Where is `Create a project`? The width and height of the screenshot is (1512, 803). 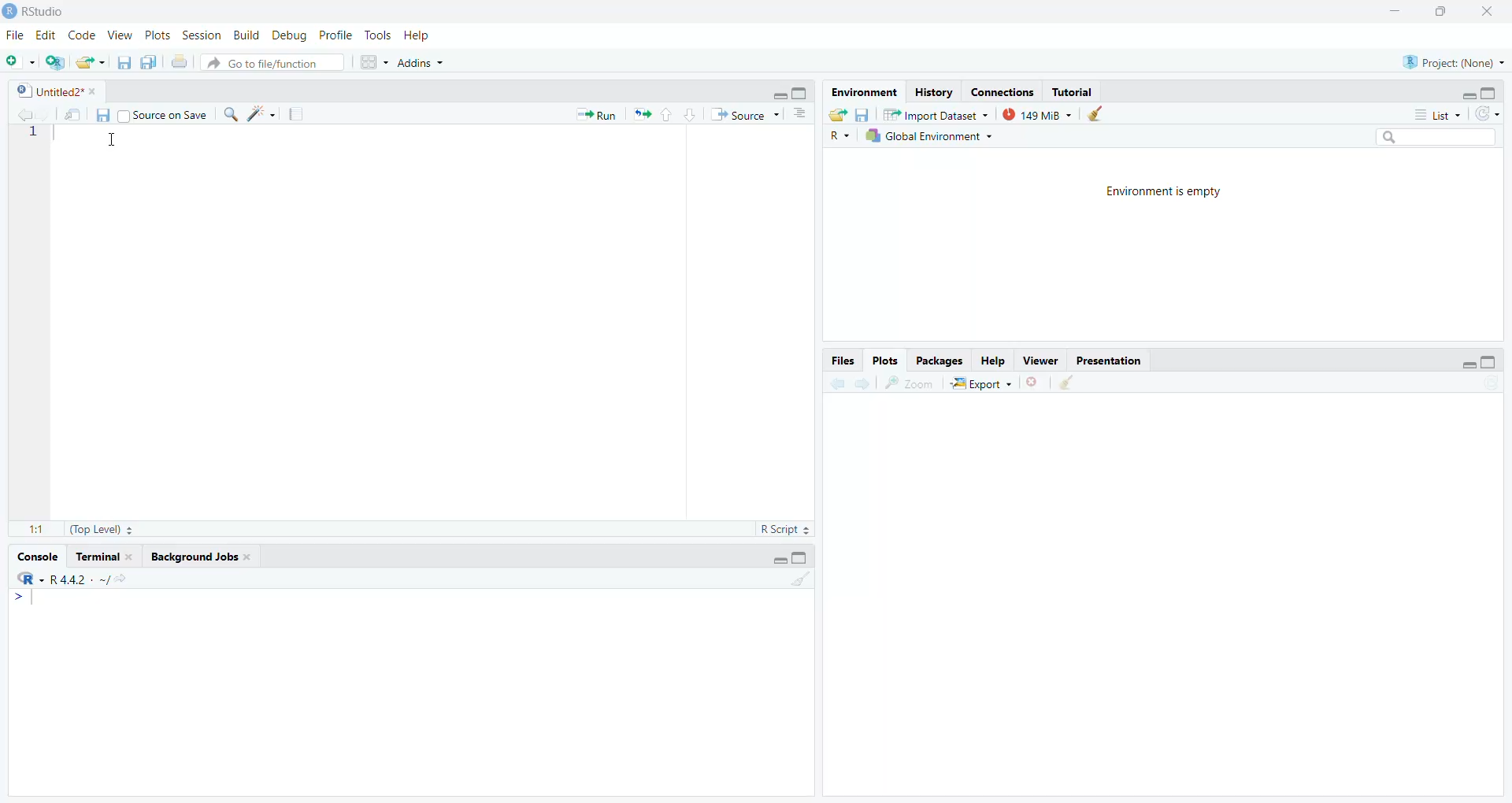
Create a project is located at coordinates (56, 63).